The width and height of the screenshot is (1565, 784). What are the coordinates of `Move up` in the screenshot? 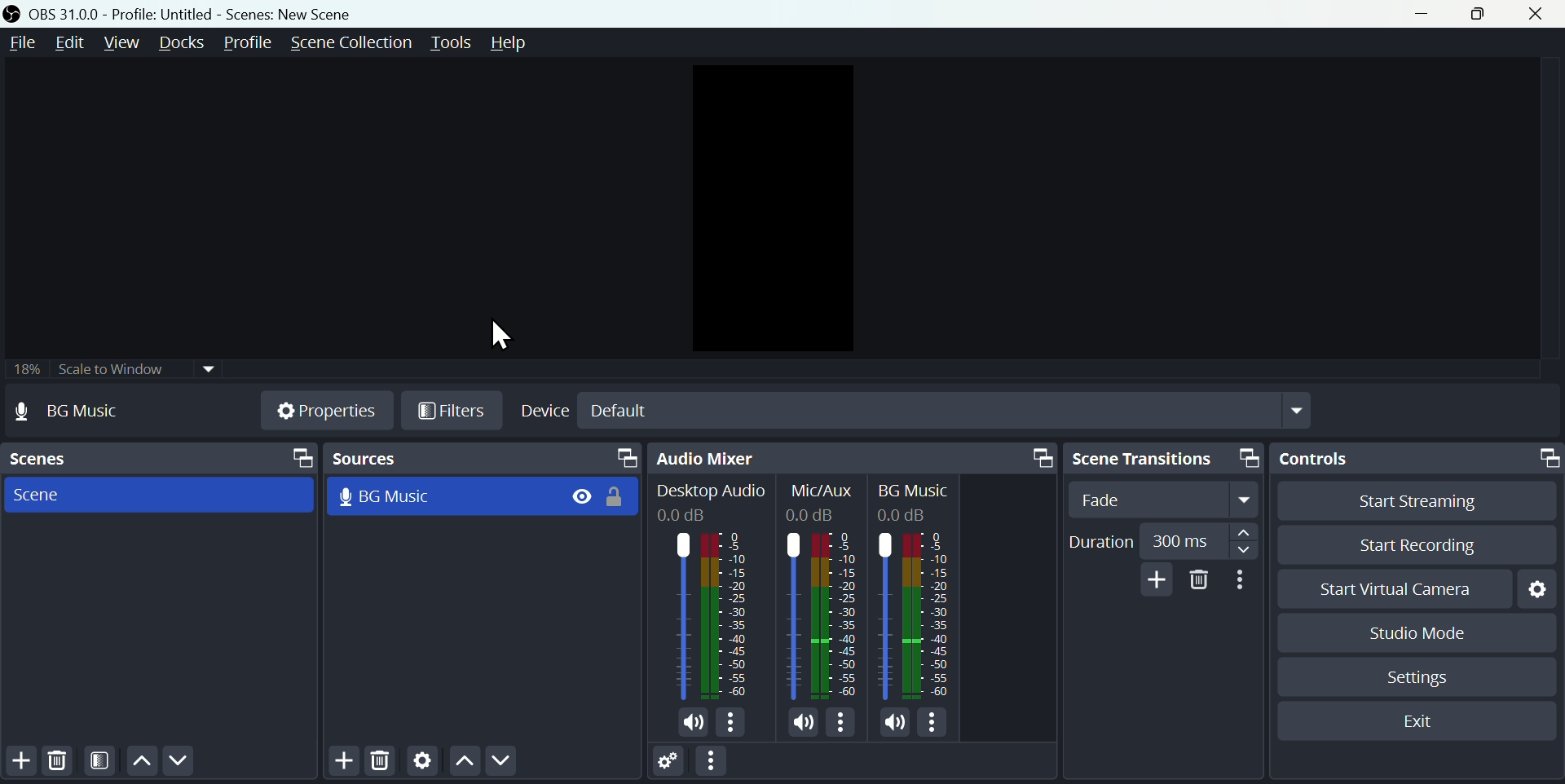 It's located at (463, 762).